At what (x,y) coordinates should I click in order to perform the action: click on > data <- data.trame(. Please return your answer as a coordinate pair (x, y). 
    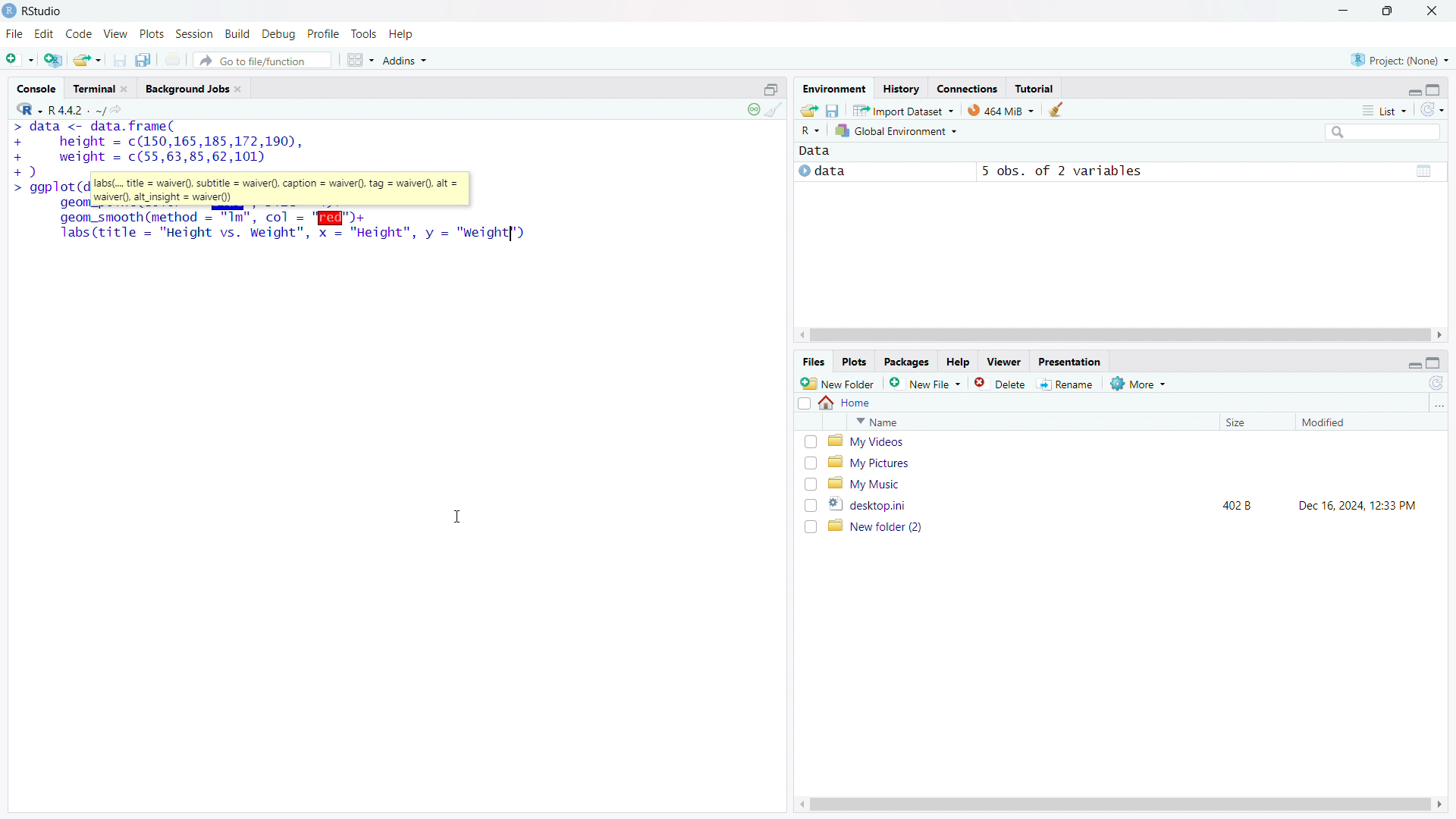
    Looking at the image, I should click on (93, 127).